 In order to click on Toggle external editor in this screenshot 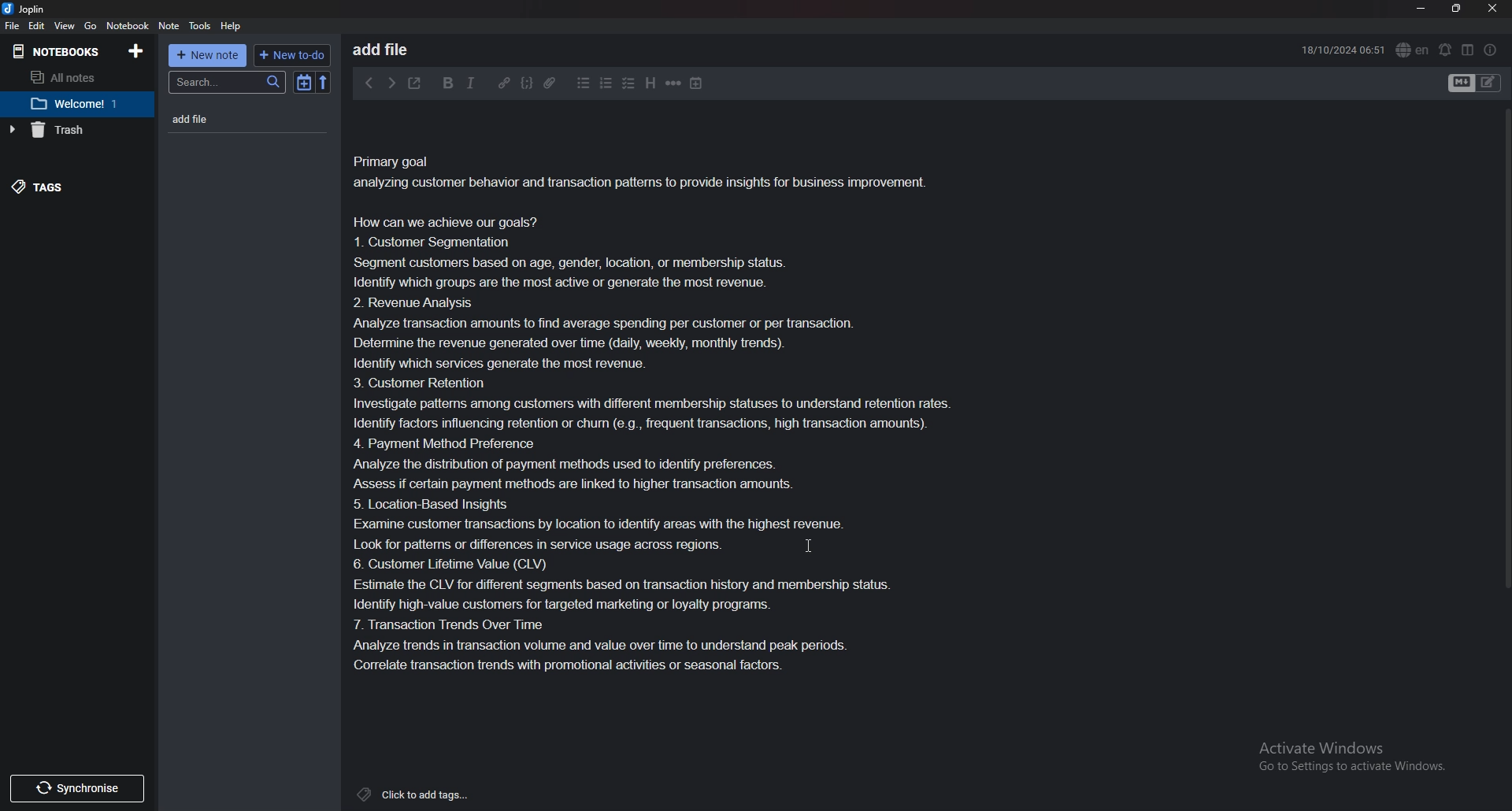, I will do `click(415, 83)`.